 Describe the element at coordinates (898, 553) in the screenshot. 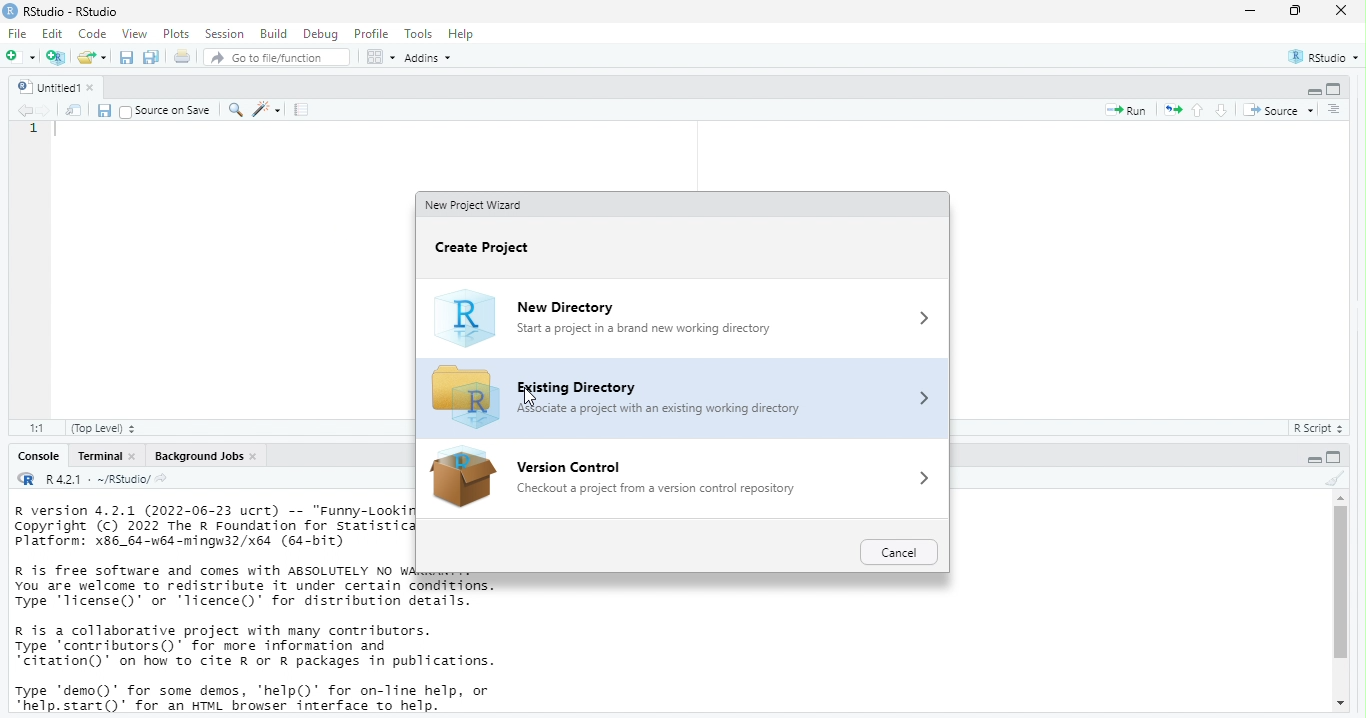

I see `cancel` at that location.